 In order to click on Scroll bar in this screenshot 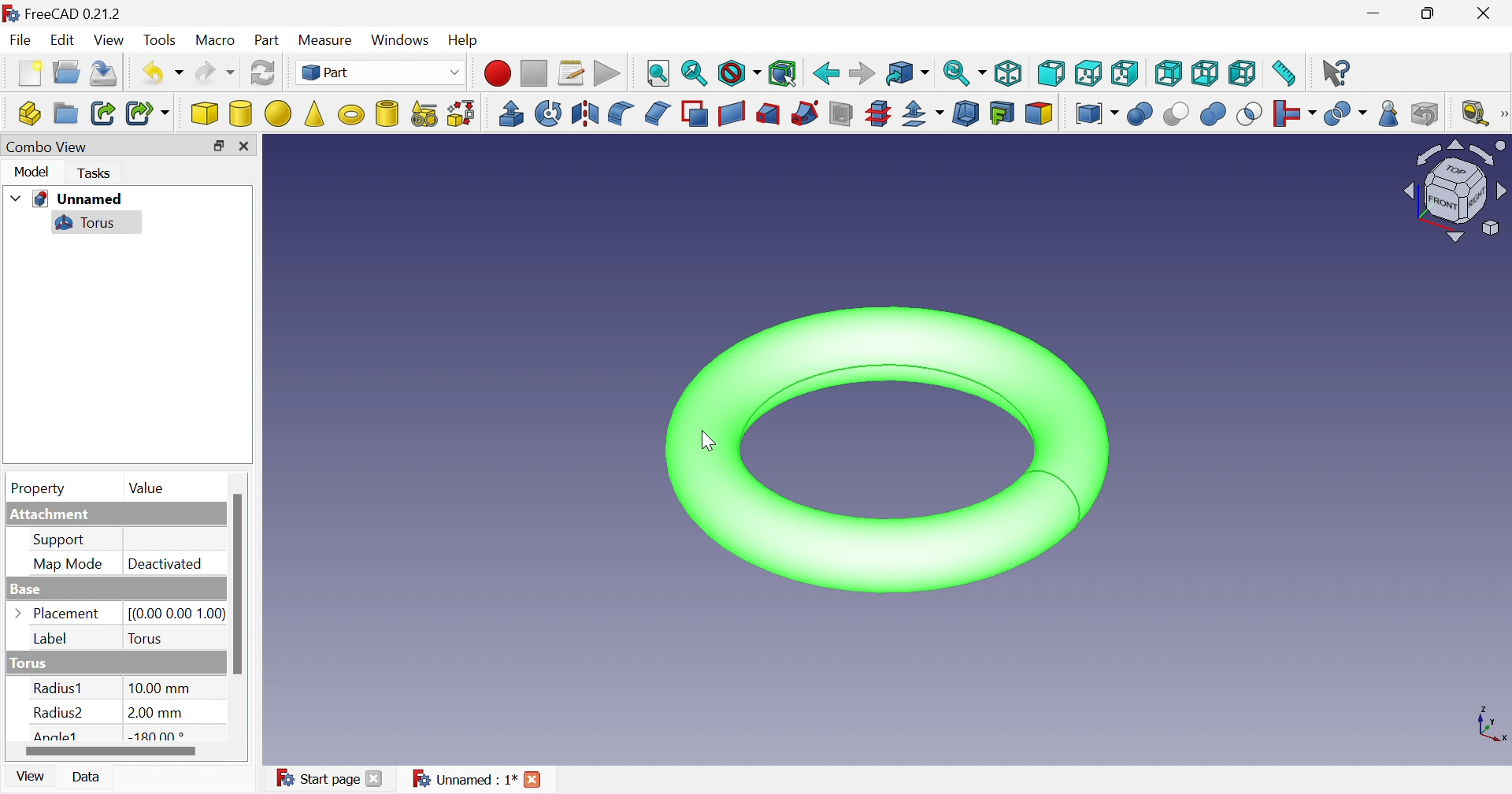, I will do `click(111, 749)`.